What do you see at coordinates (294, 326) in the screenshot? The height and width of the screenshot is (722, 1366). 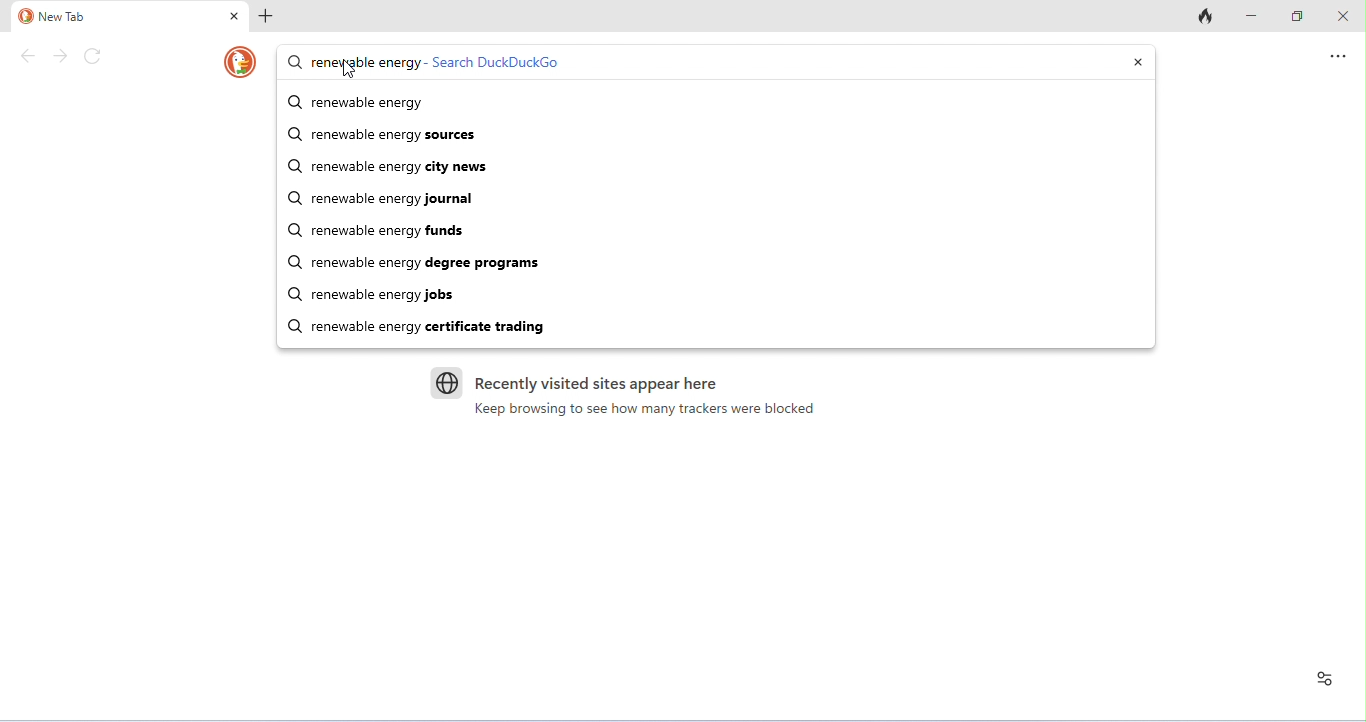 I see `search icon` at bounding box center [294, 326].